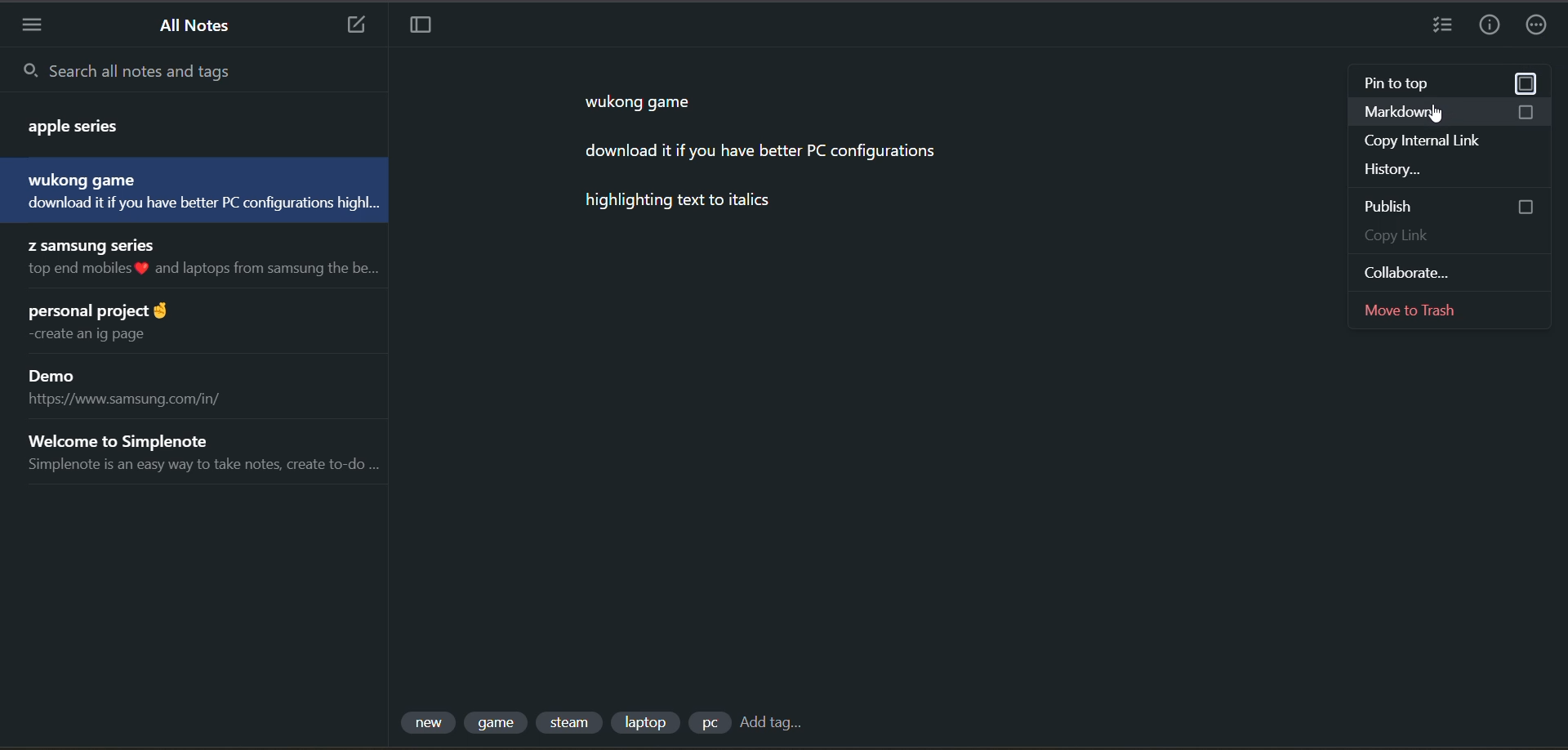 This screenshot has width=1568, height=750. Describe the element at coordinates (430, 723) in the screenshot. I see `tag 1` at that location.